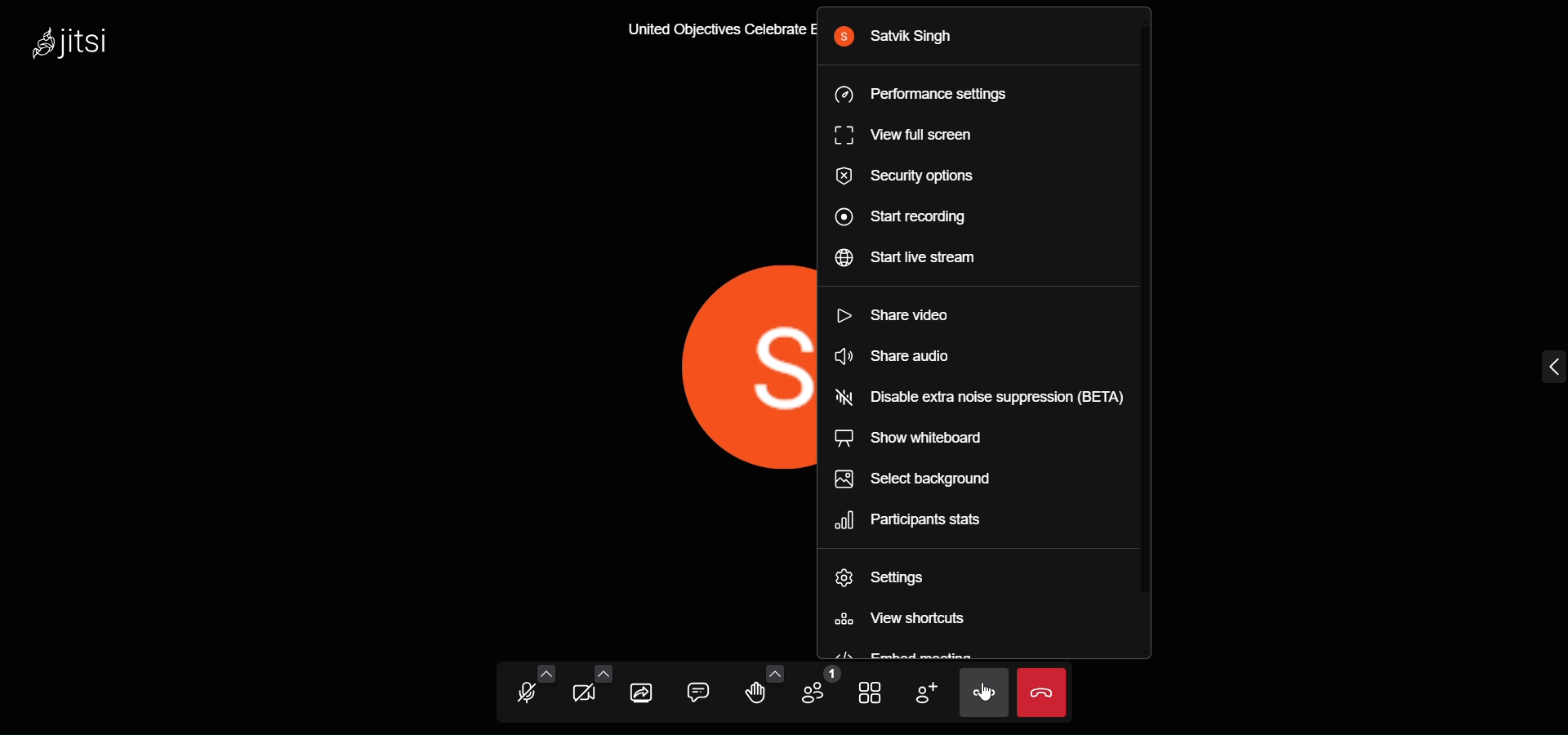 This screenshot has height=735, width=1568. What do you see at coordinates (585, 696) in the screenshot?
I see `camera` at bounding box center [585, 696].